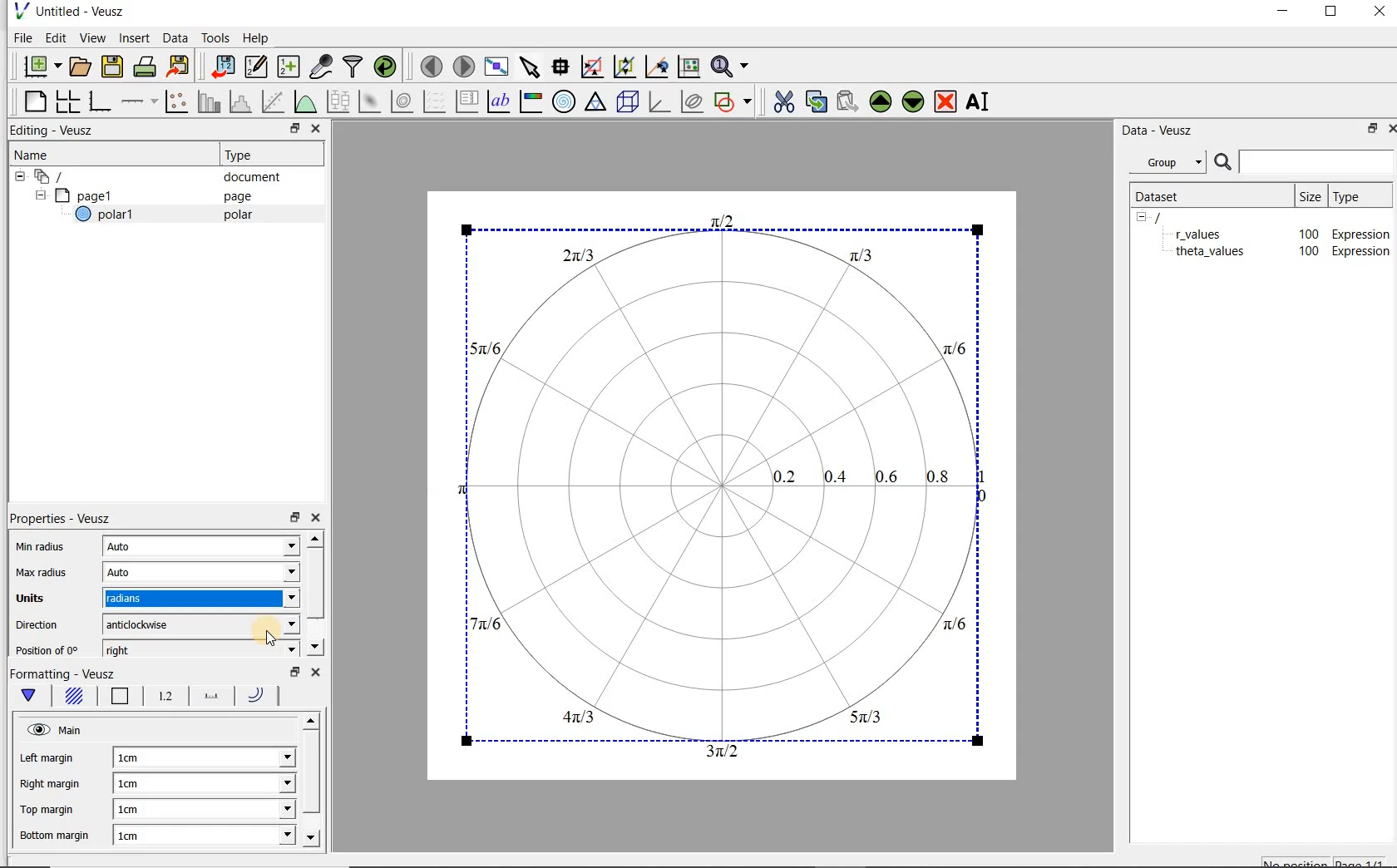 The height and width of the screenshot is (868, 1397). Describe the element at coordinates (32, 99) in the screenshot. I see `blank page` at that location.